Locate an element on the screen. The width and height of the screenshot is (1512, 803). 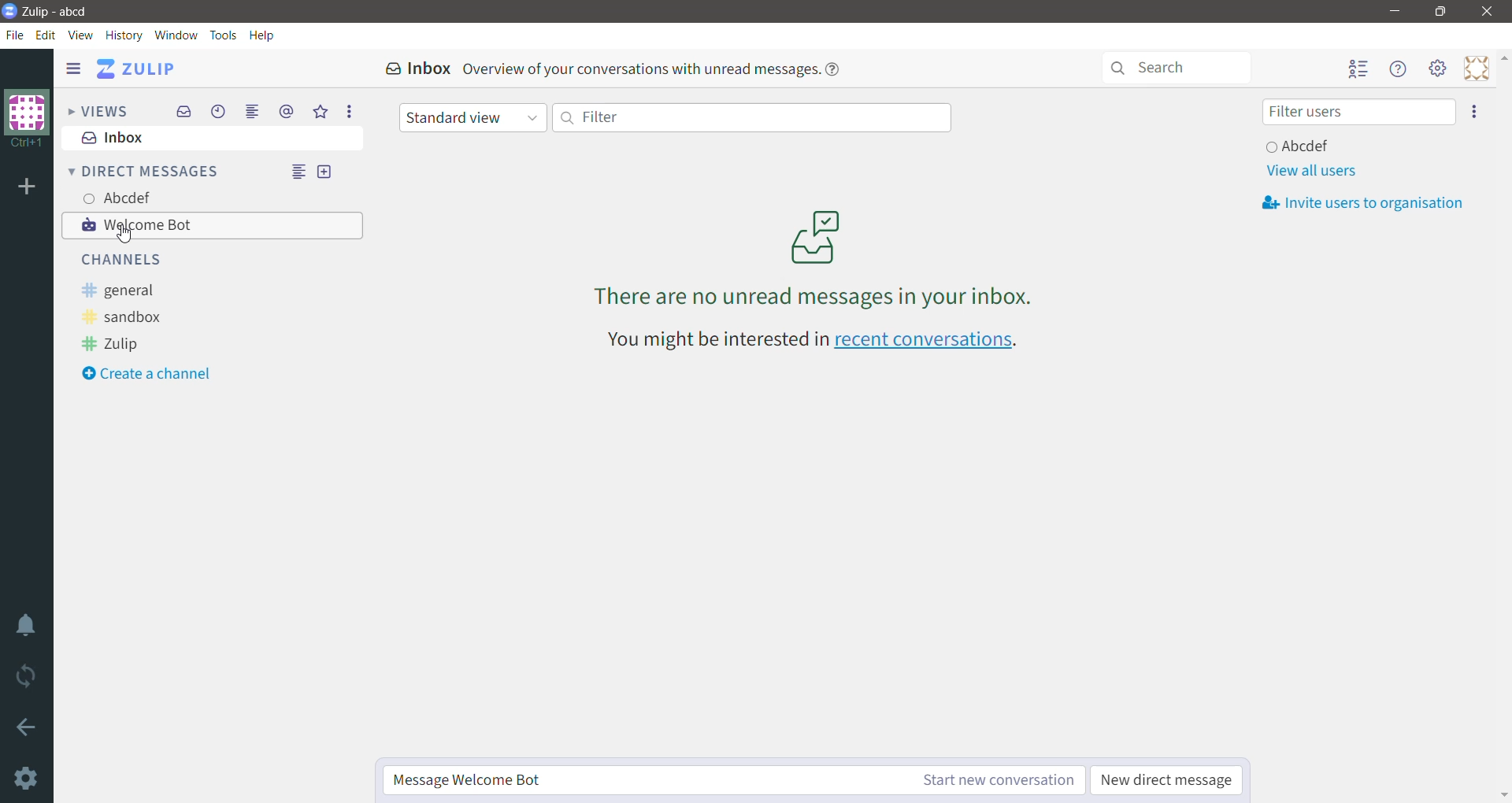
Application Name - Organization Name is located at coordinates (69, 12).